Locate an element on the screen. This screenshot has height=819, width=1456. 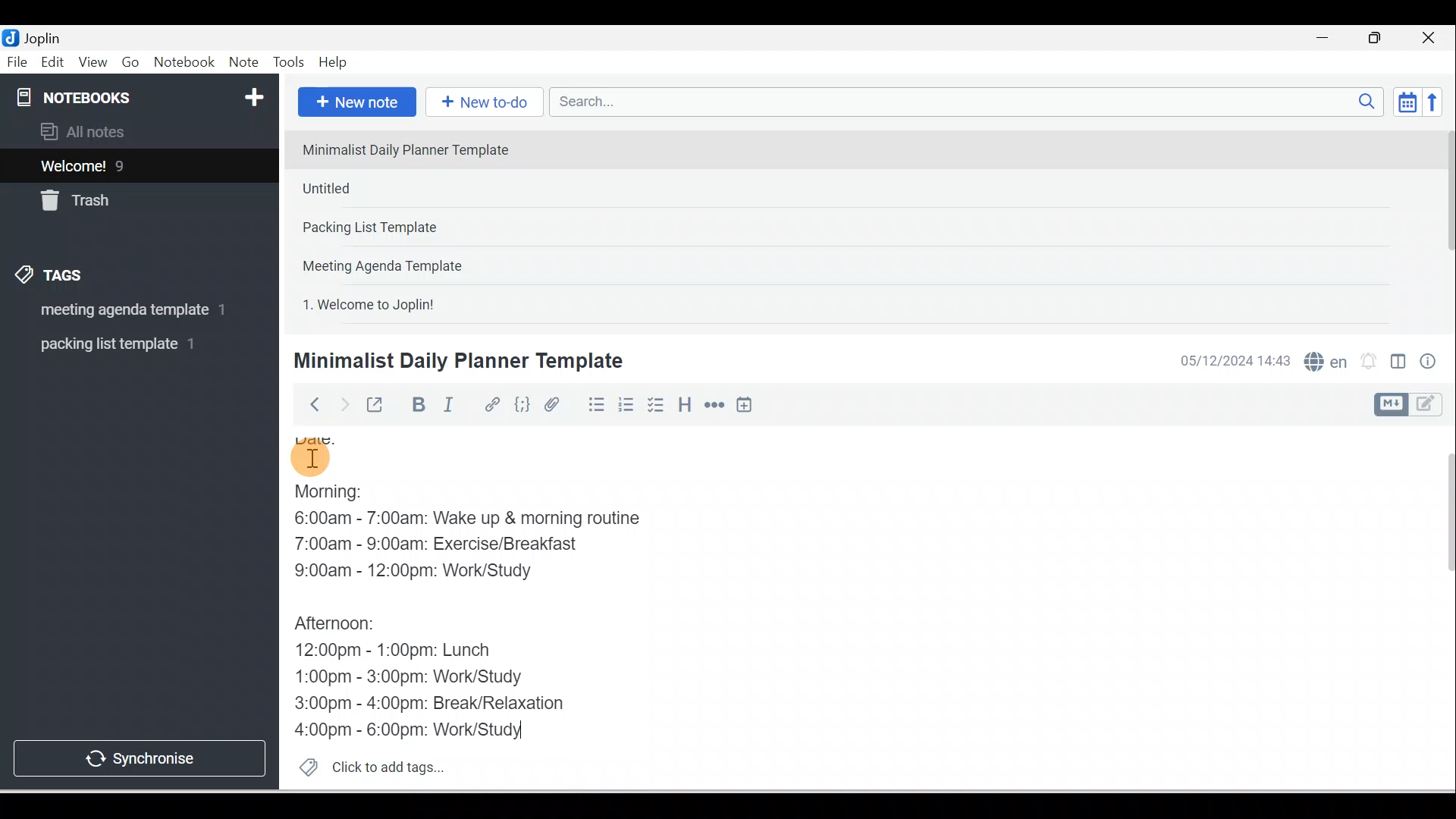
Tools is located at coordinates (288, 62).